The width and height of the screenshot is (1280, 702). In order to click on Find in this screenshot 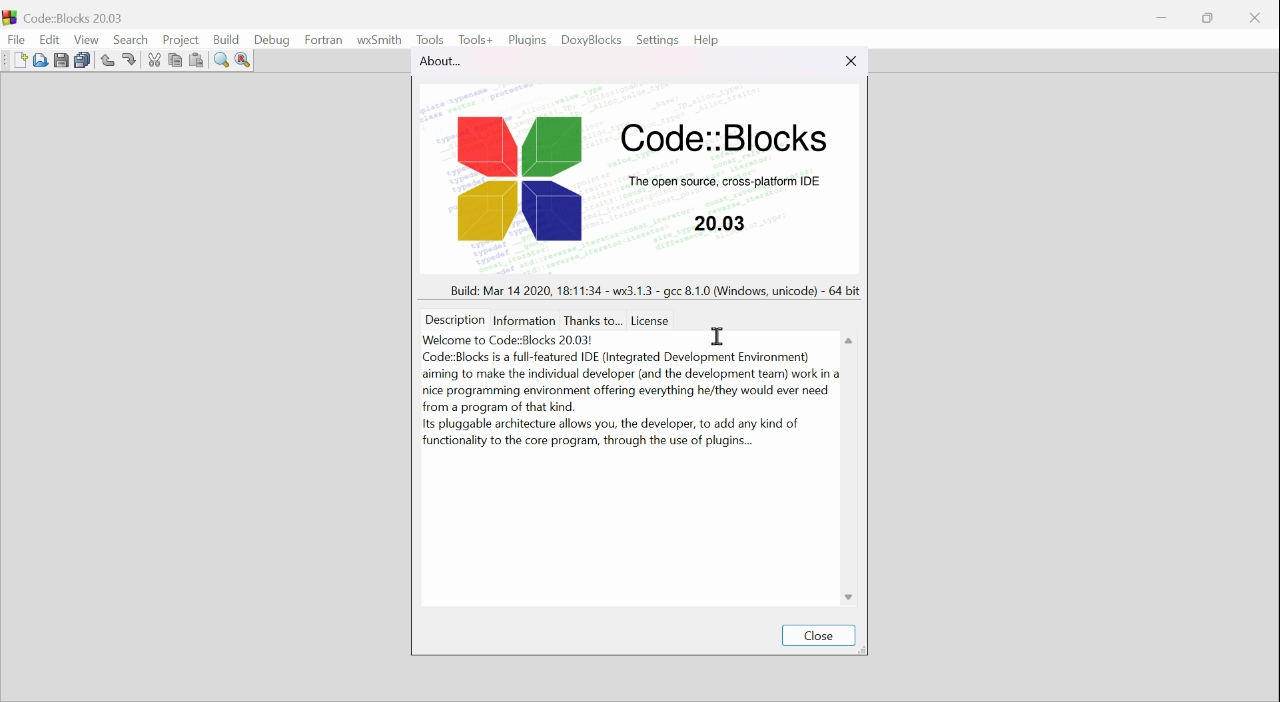, I will do `click(218, 60)`.